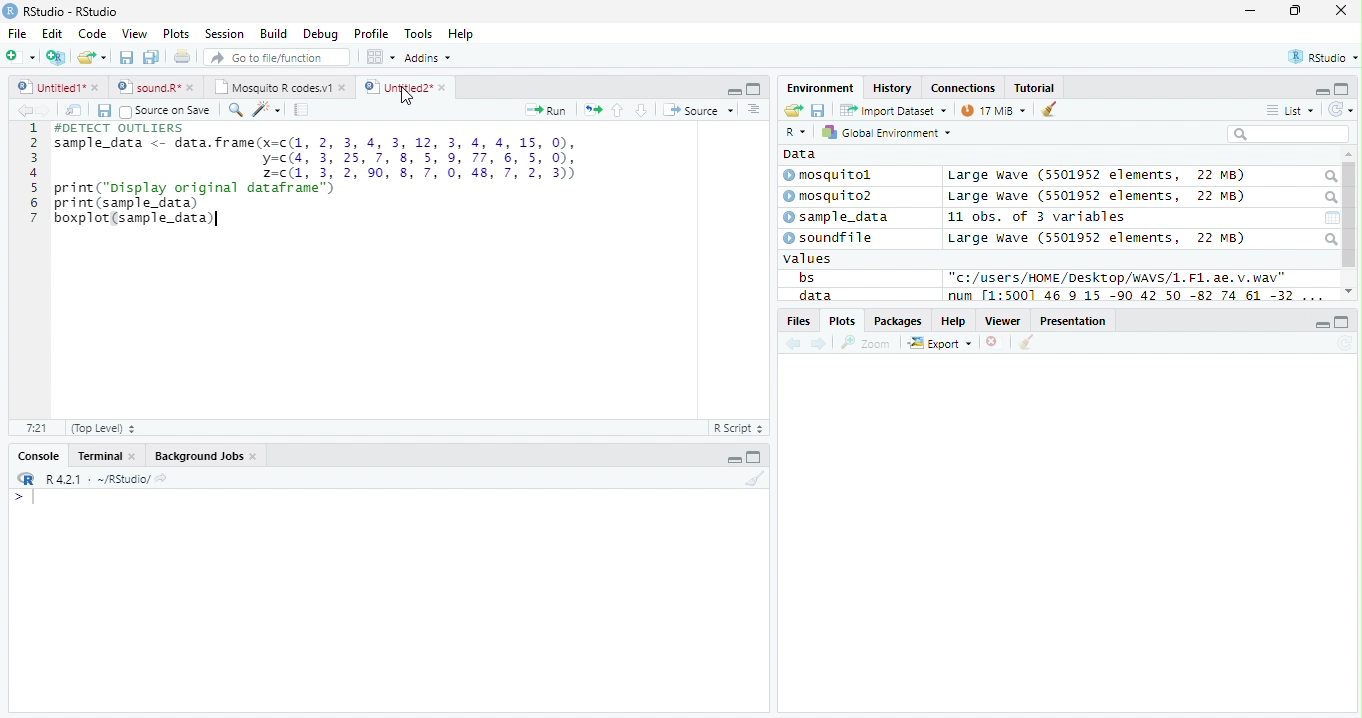 The height and width of the screenshot is (718, 1362). Describe the element at coordinates (892, 88) in the screenshot. I see `History` at that location.